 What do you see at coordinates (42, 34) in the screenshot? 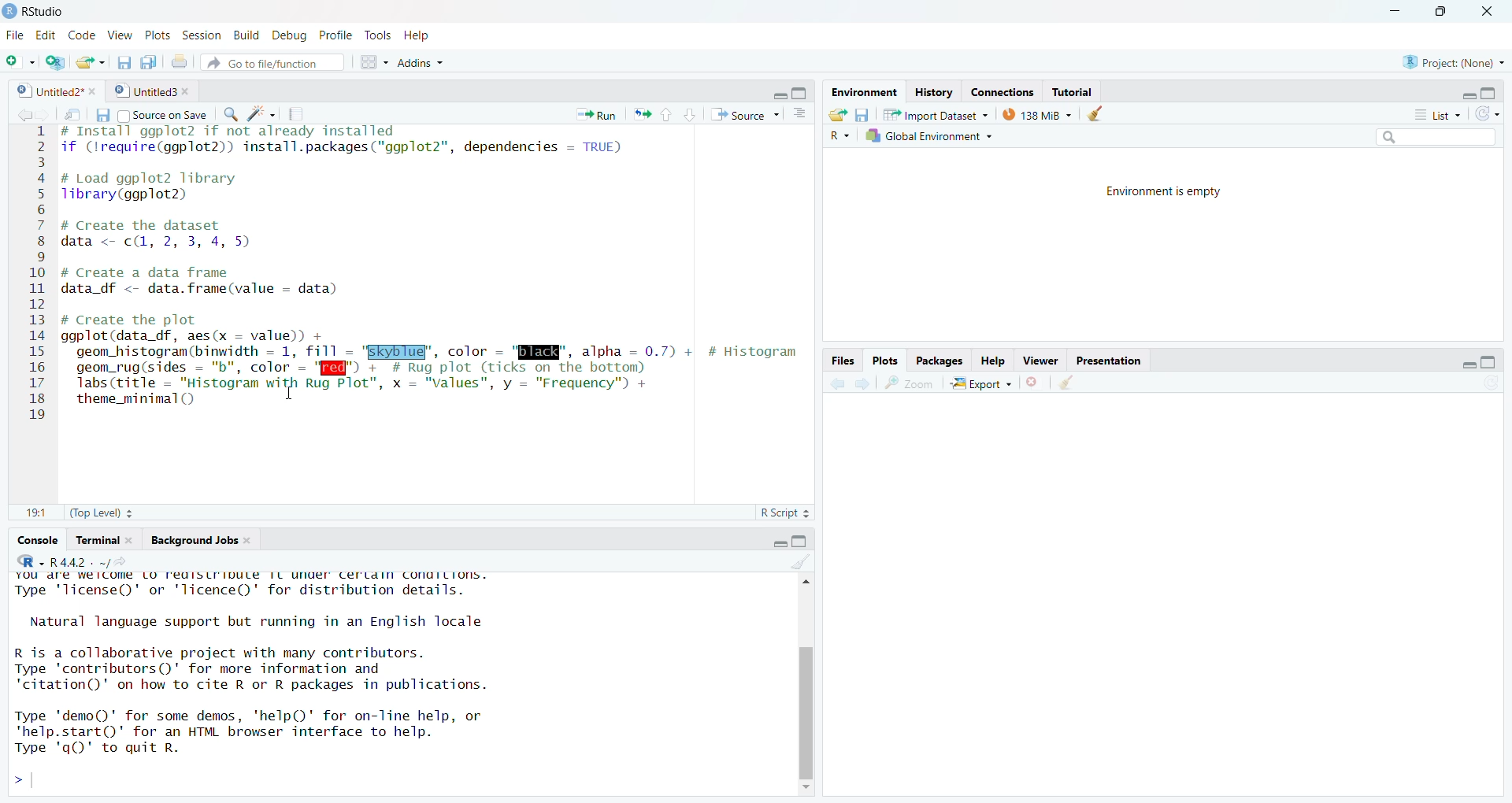
I see `Edit` at bounding box center [42, 34].